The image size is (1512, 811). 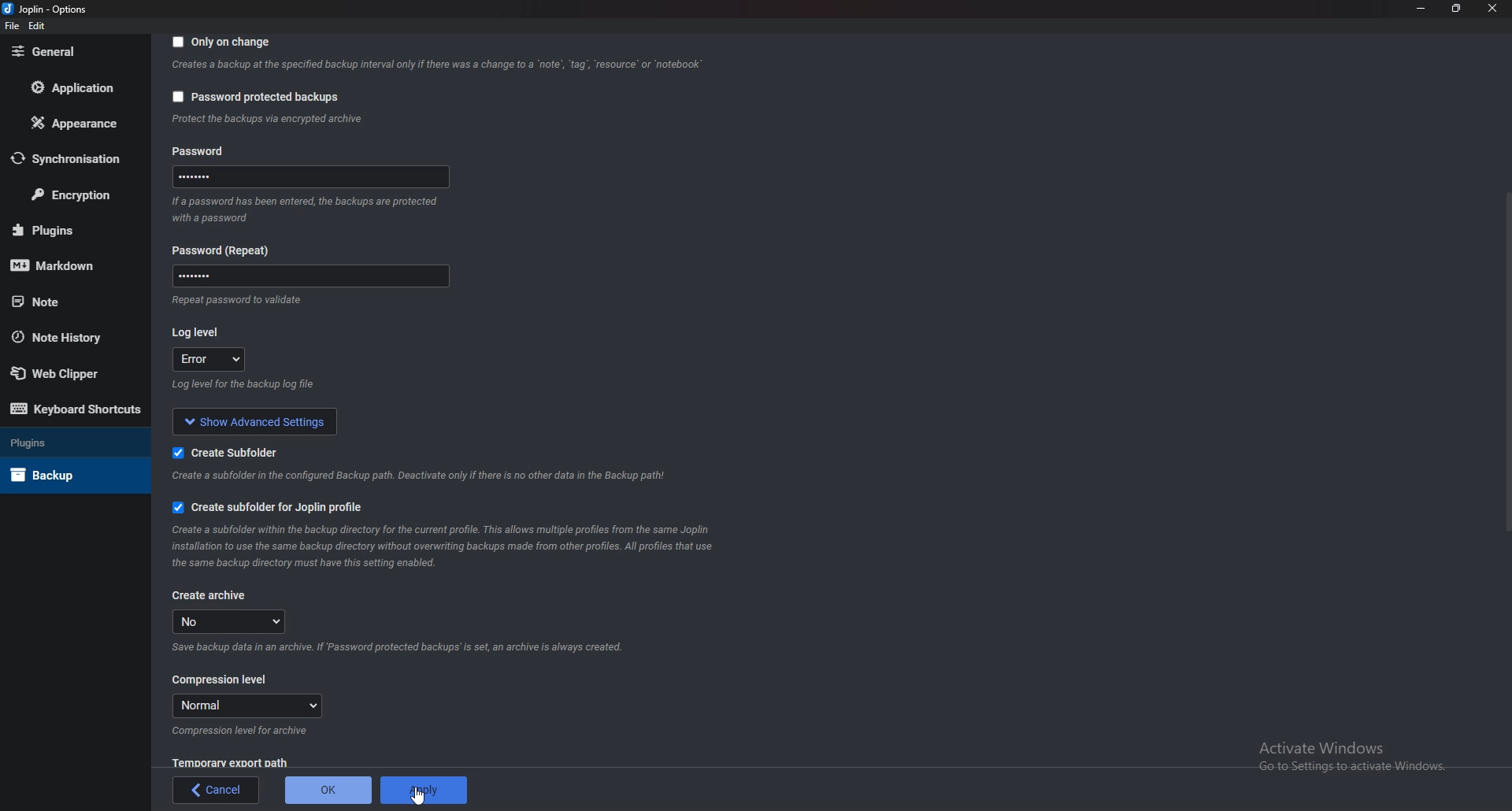 I want to click on Only on change, so click(x=224, y=43).